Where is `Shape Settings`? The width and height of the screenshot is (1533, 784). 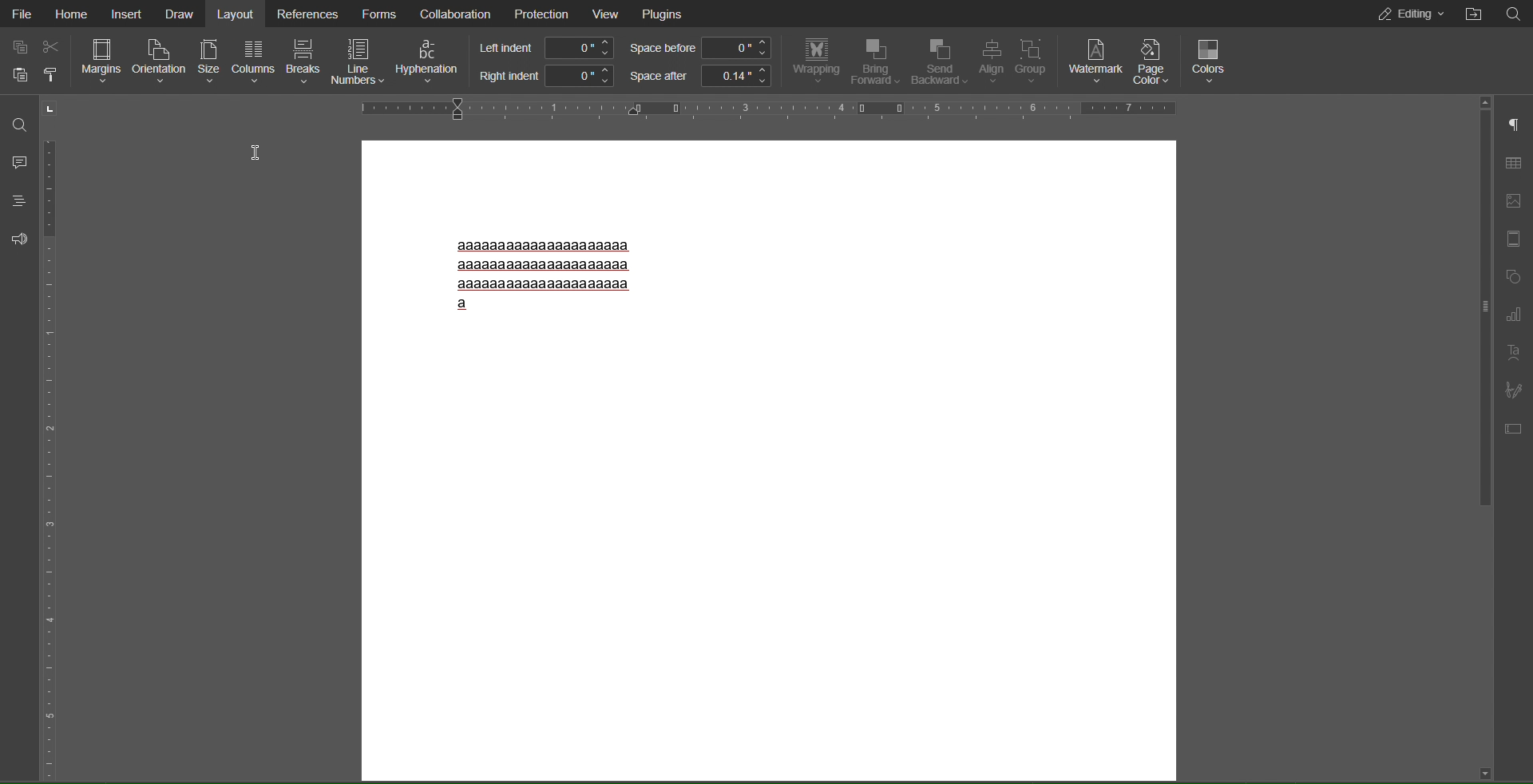 Shape Settings is located at coordinates (1514, 278).